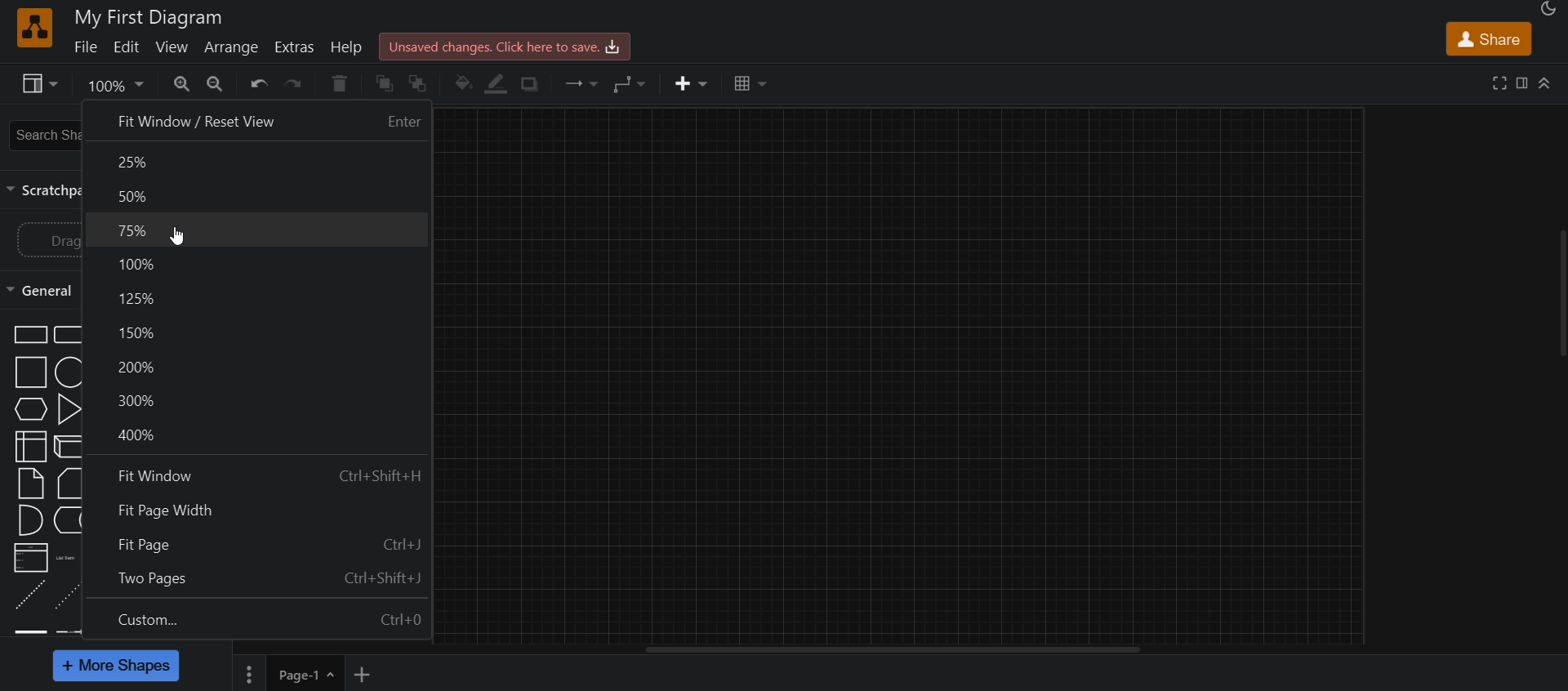  What do you see at coordinates (500, 86) in the screenshot?
I see `line color` at bounding box center [500, 86].